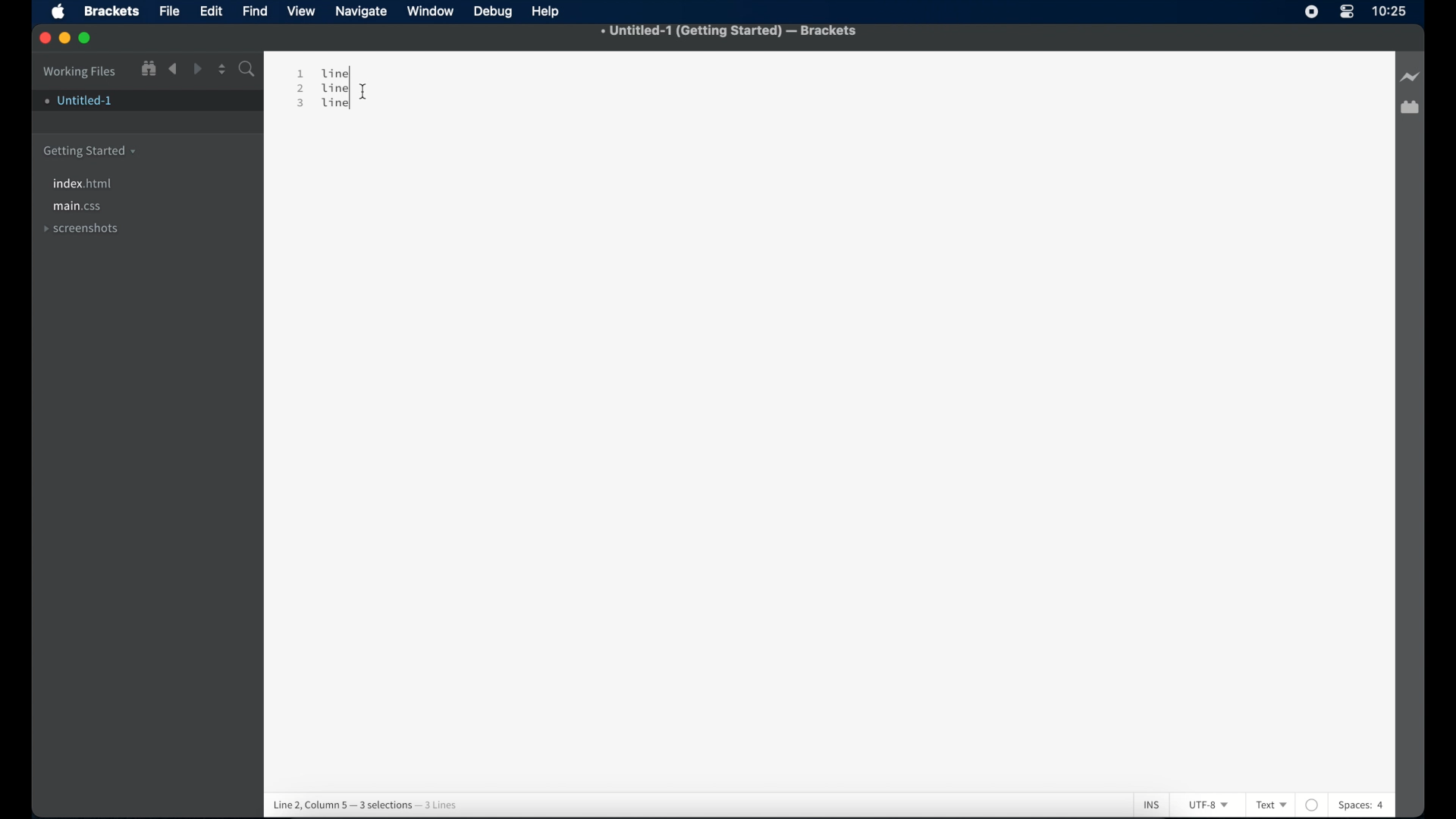 Image resolution: width=1456 pixels, height=819 pixels. What do you see at coordinates (170, 11) in the screenshot?
I see `file` at bounding box center [170, 11].